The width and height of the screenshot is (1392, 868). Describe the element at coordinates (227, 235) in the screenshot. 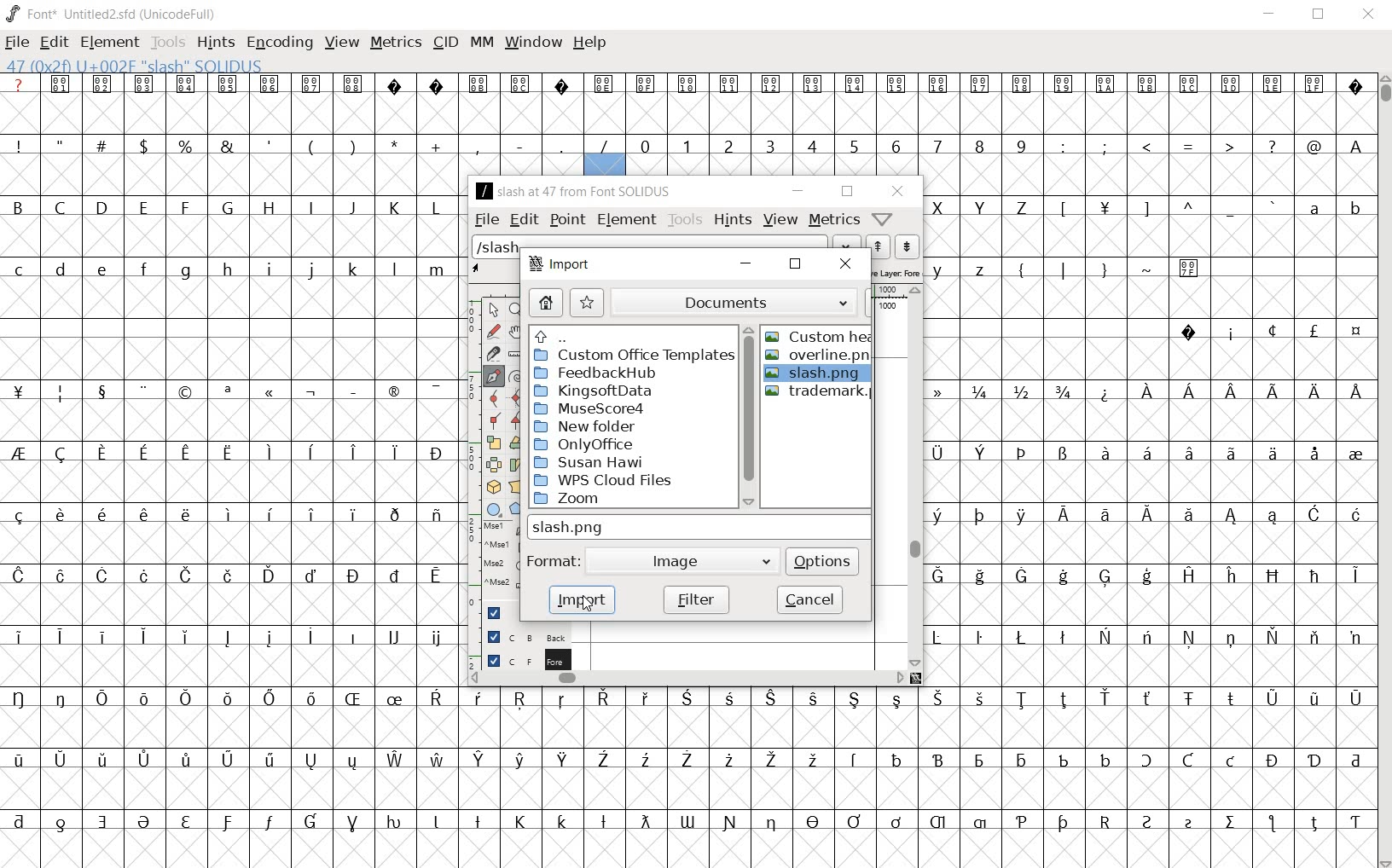

I see `empty cells` at that location.